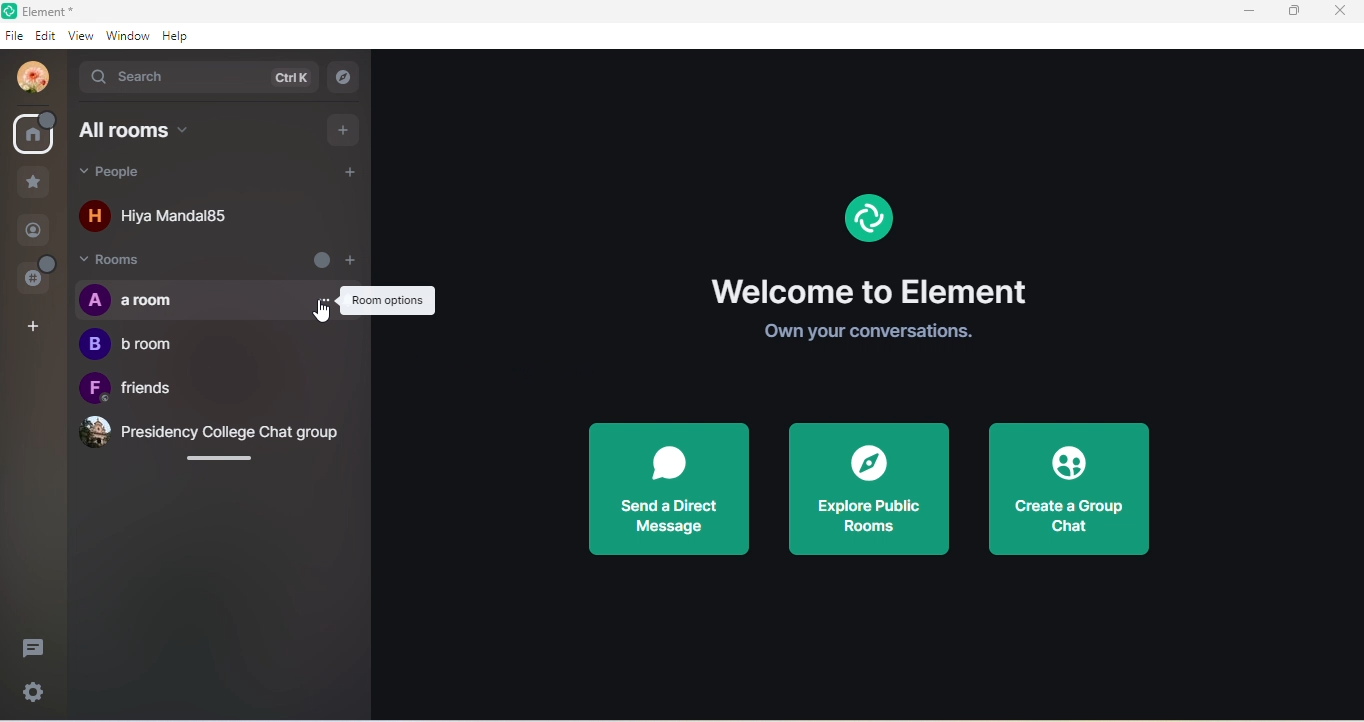 This screenshot has height=722, width=1364. What do you see at coordinates (671, 486) in the screenshot?
I see `send a direct message` at bounding box center [671, 486].